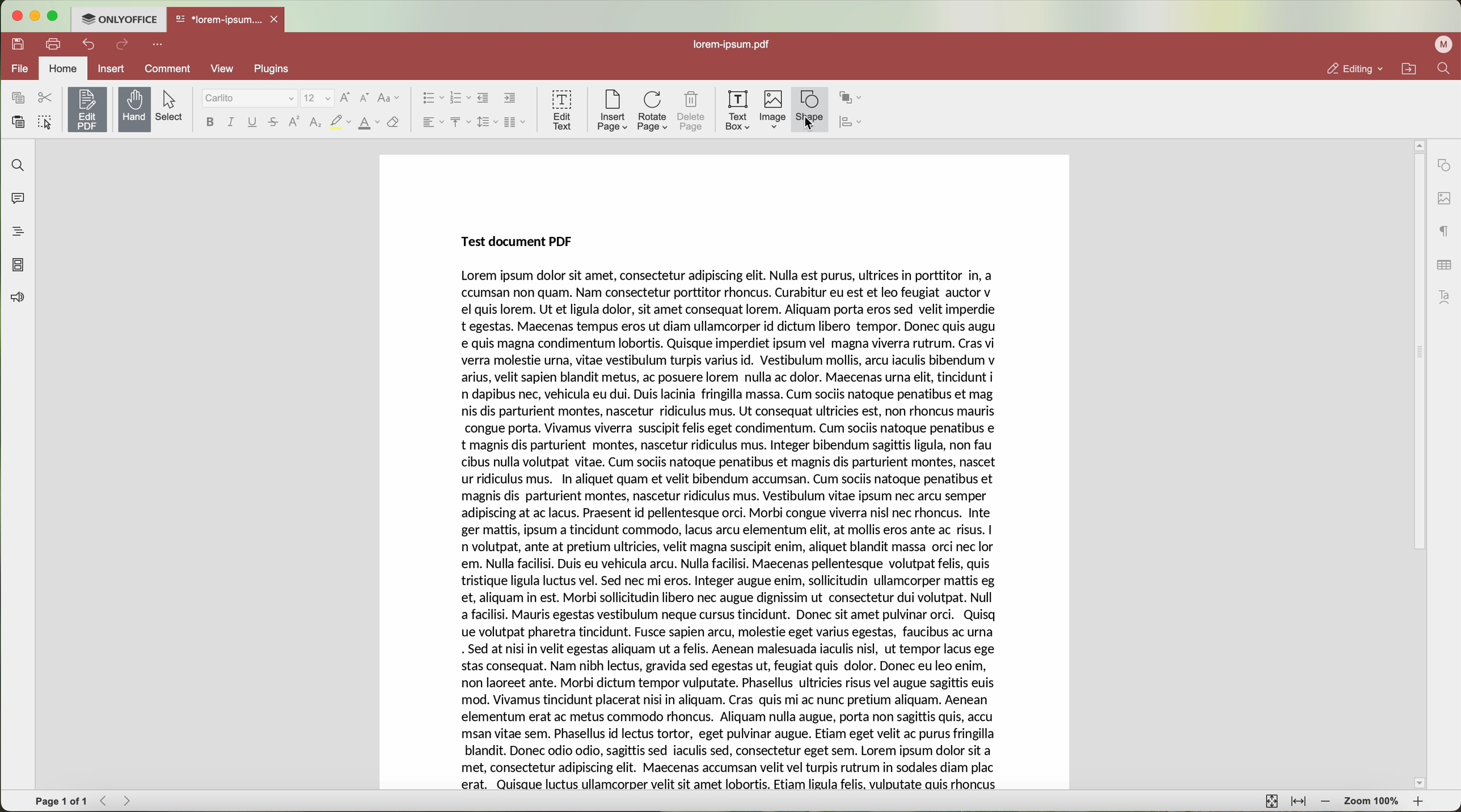 This screenshot has height=812, width=1461. I want to click on redo, so click(124, 46).